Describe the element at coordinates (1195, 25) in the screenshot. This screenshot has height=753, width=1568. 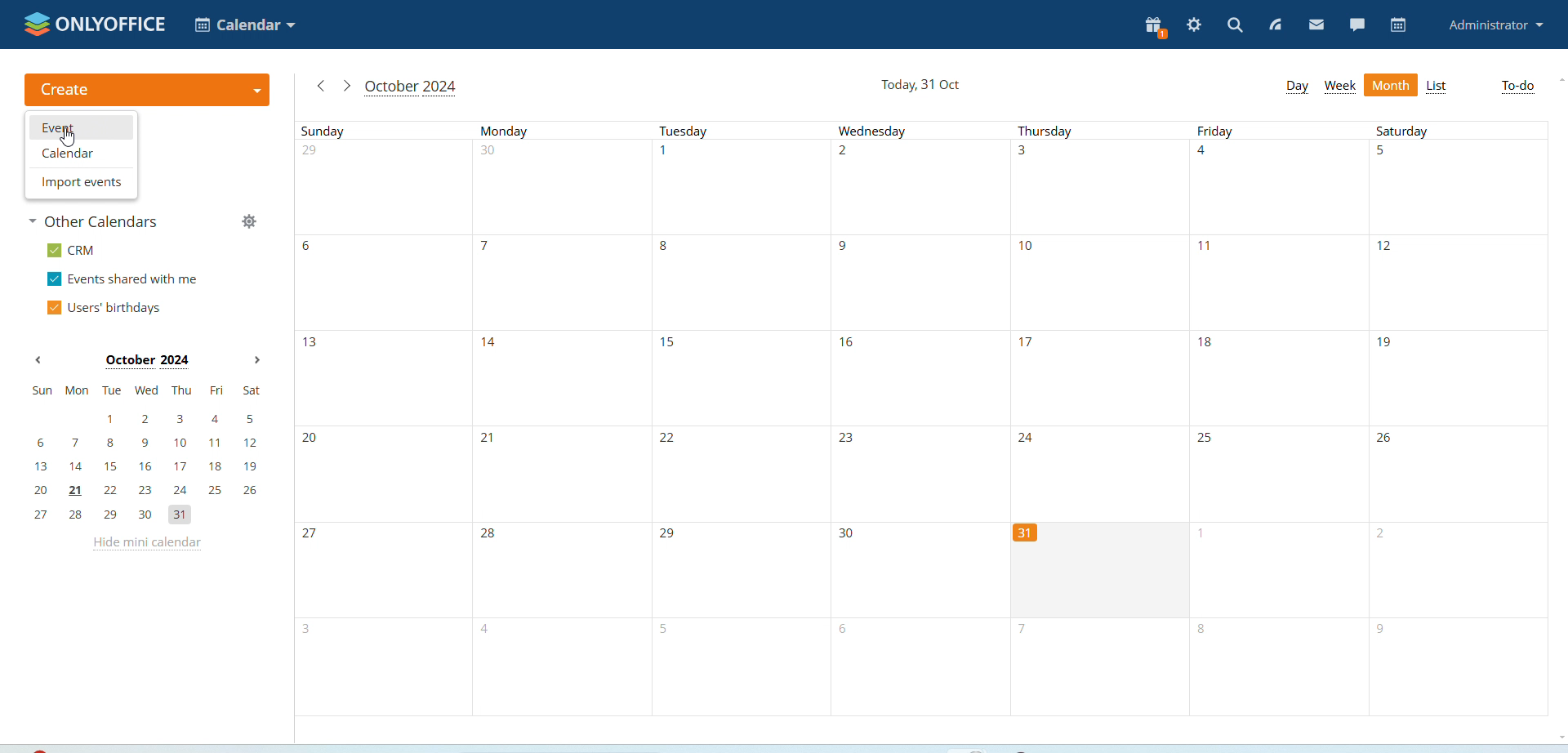
I see `settings` at that location.